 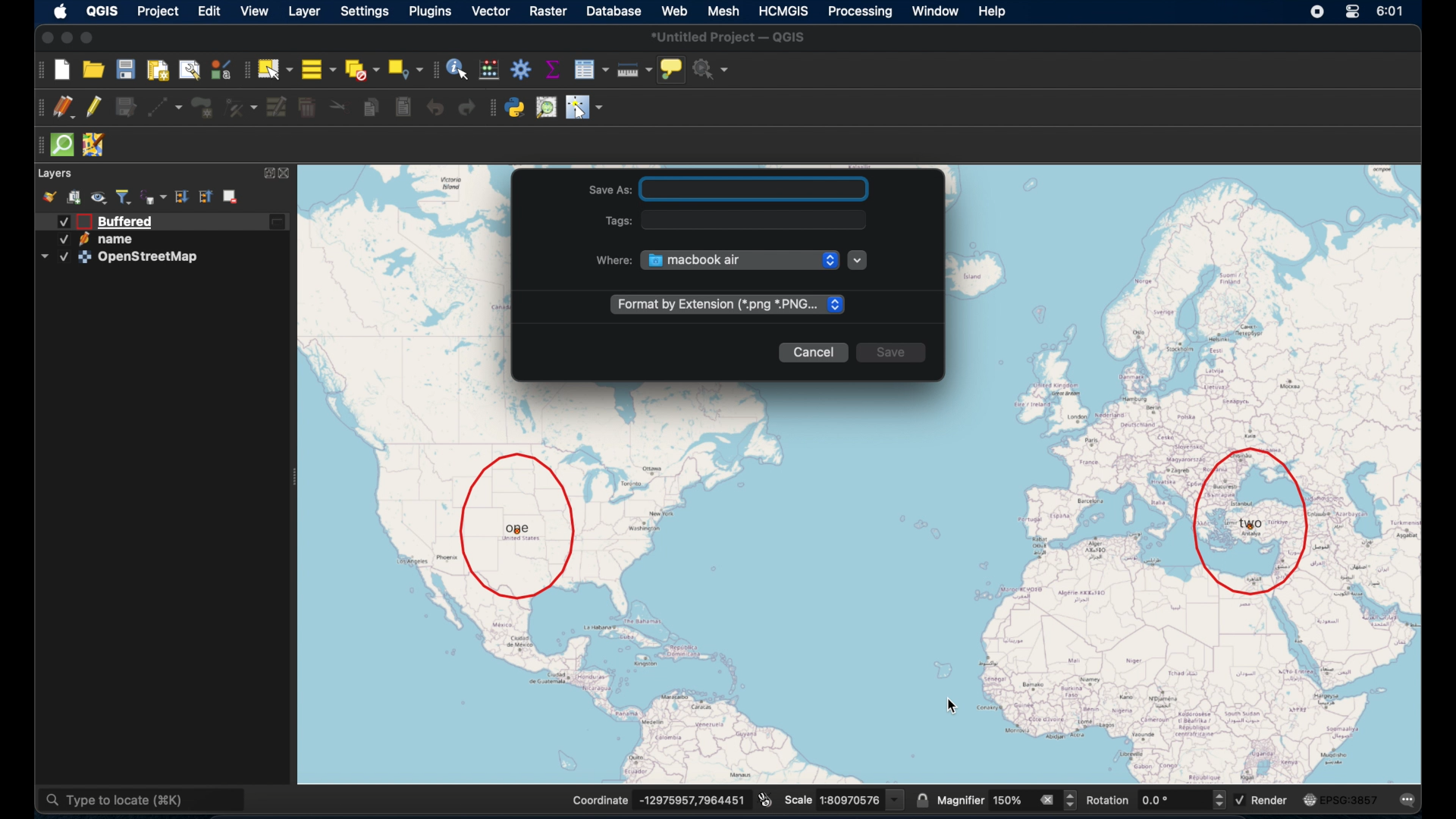 What do you see at coordinates (937, 12) in the screenshot?
I see `window` at bounding box center [937, 12].